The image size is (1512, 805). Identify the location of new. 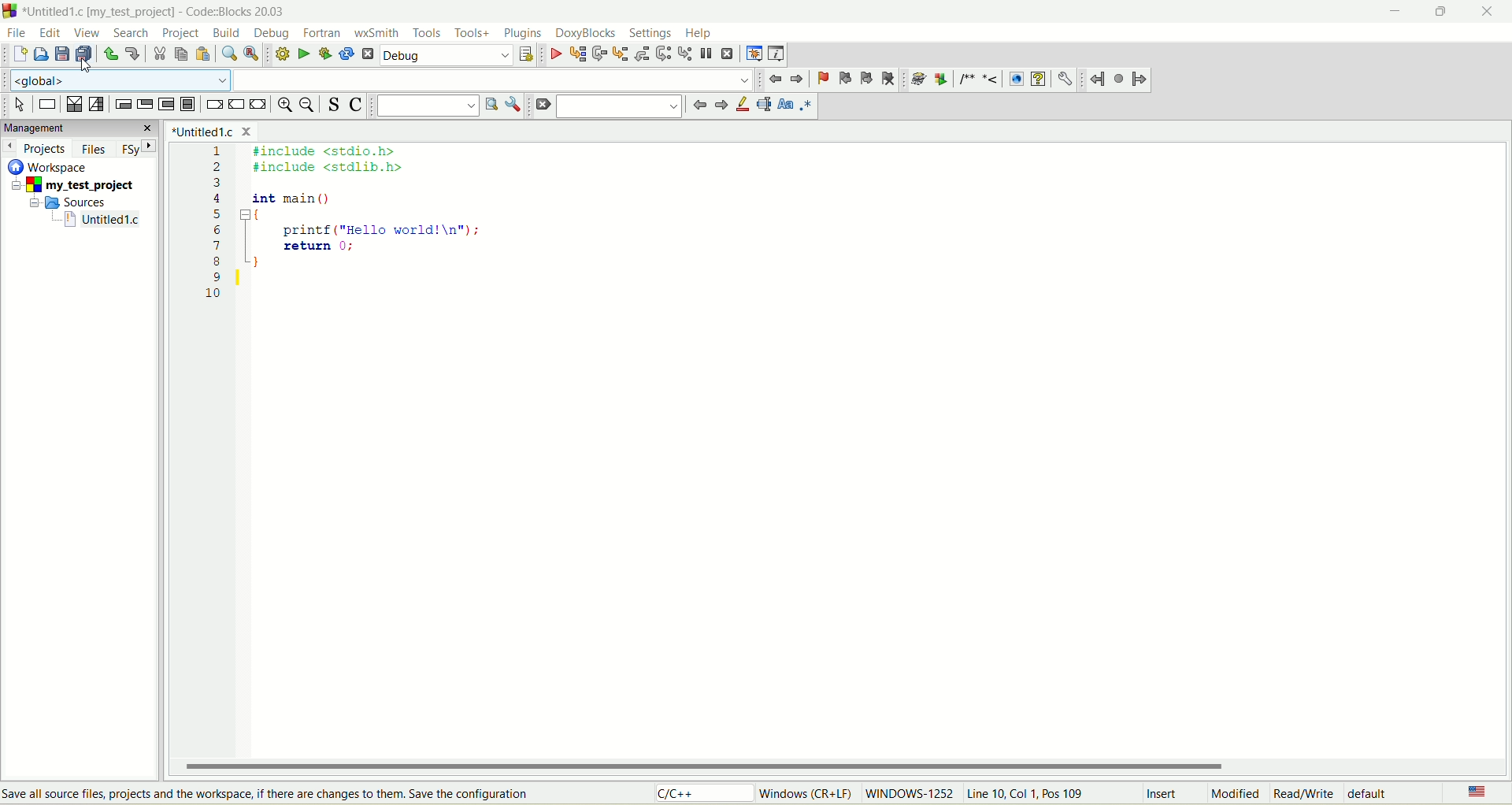
(18, 55).